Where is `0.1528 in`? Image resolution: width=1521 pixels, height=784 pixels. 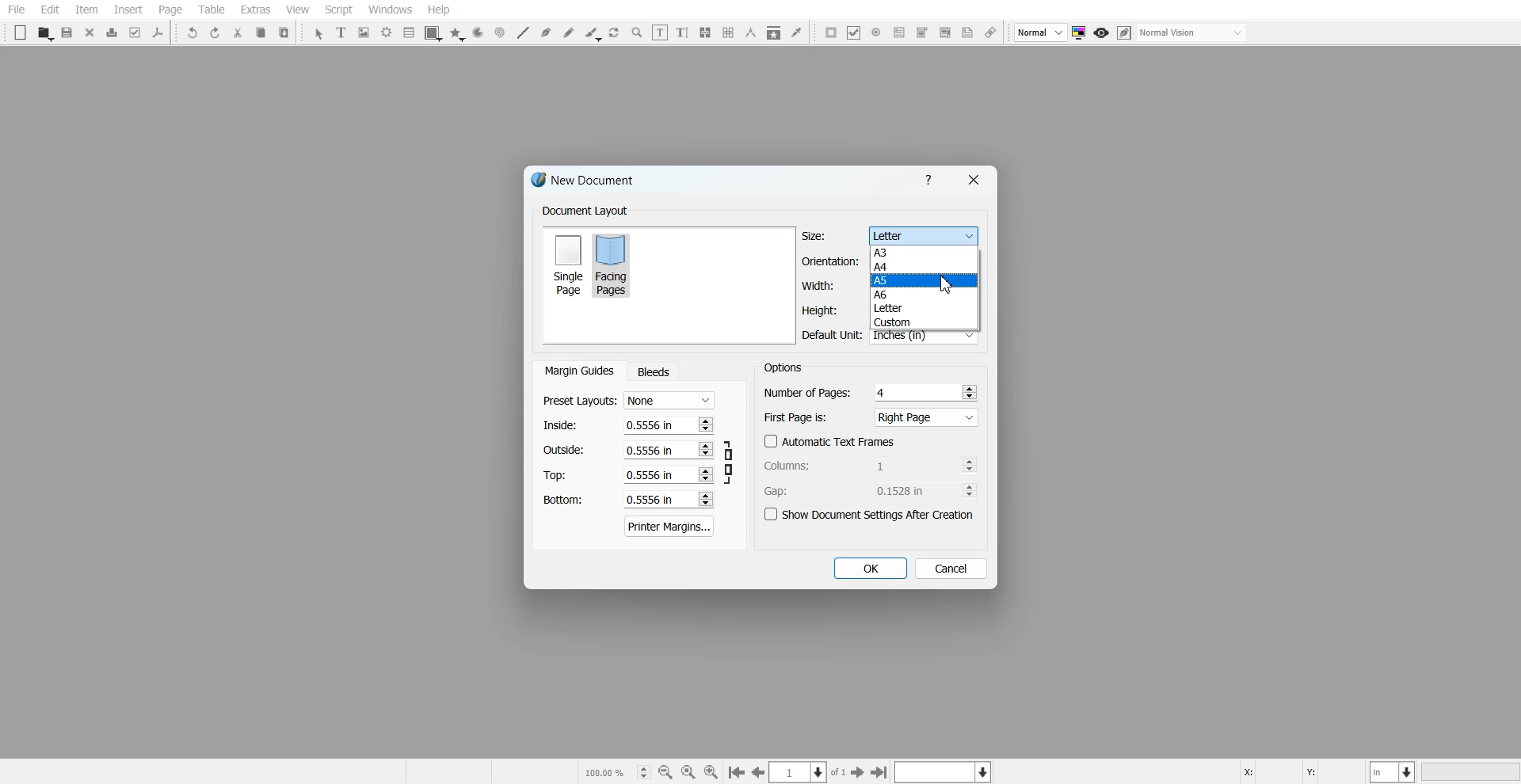 0.1528 in is located at coordinates (905, 490).